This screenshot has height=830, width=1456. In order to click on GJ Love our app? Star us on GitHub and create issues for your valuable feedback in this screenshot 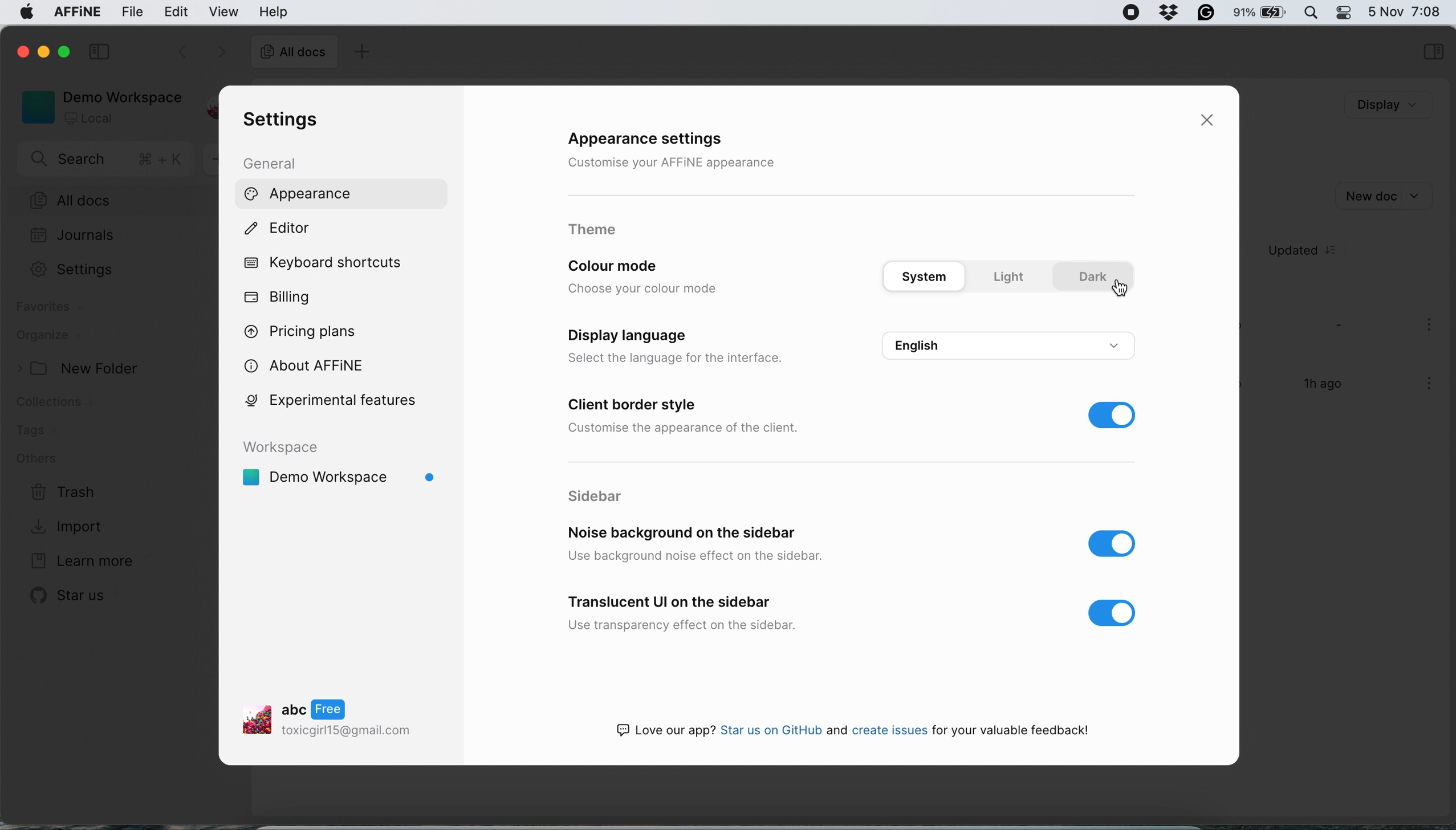, I will do `click(853, 729)`.